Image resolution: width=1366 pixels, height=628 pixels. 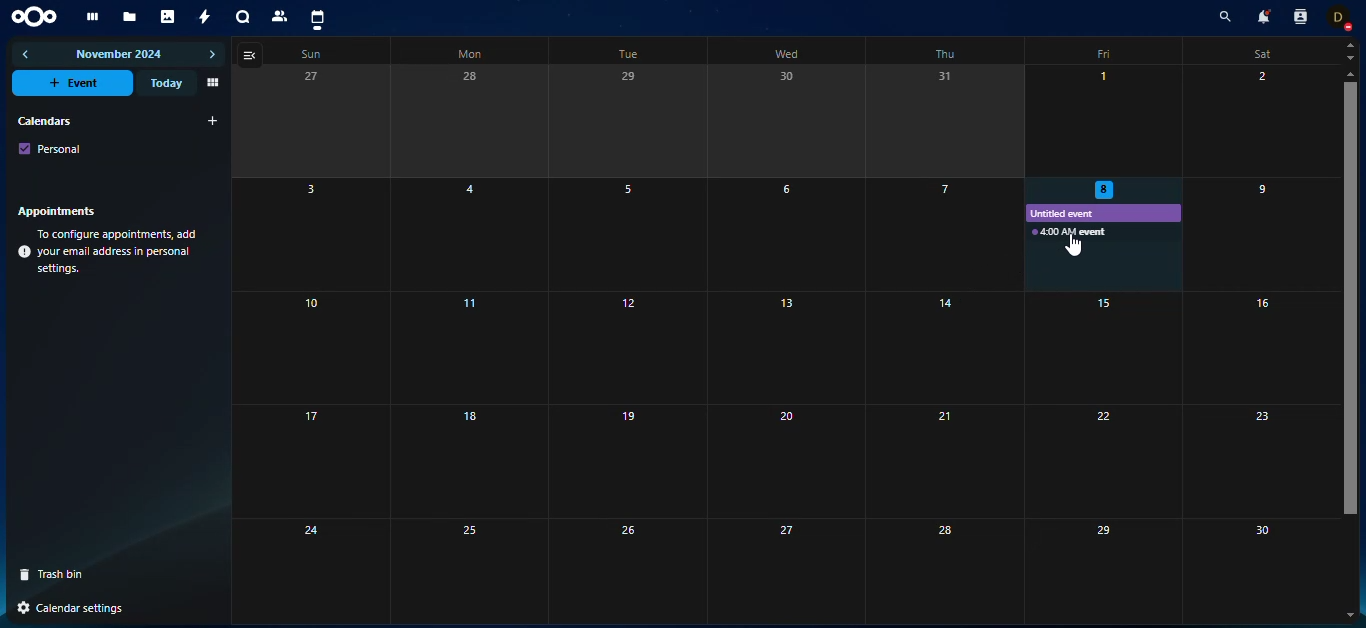 I want to click on personal, so click(x=51, y=148).